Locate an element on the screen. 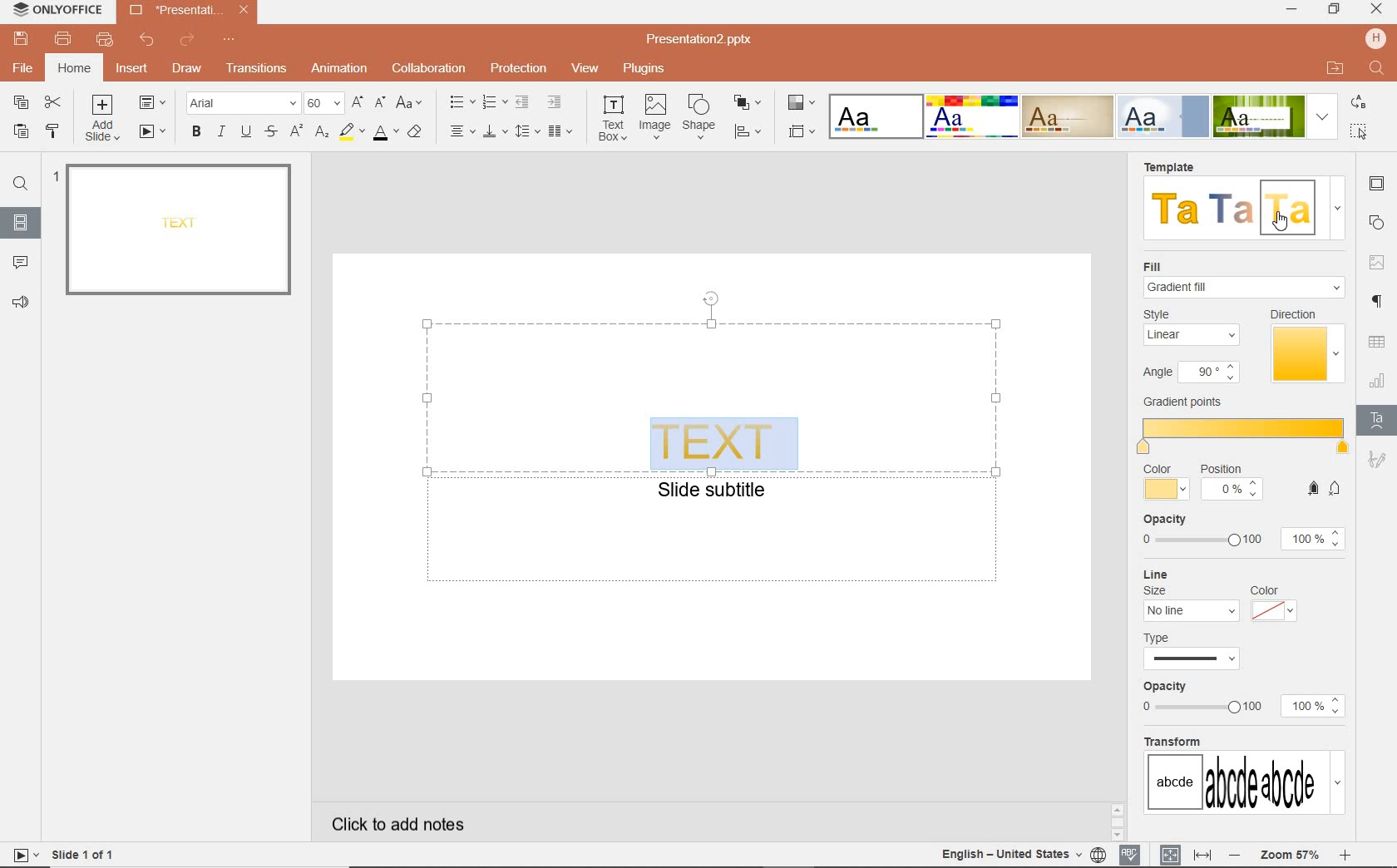 The width and height of the screenshot is (1397, 868). SLIDE SETTINGS is located at coordinates (1379, 184).